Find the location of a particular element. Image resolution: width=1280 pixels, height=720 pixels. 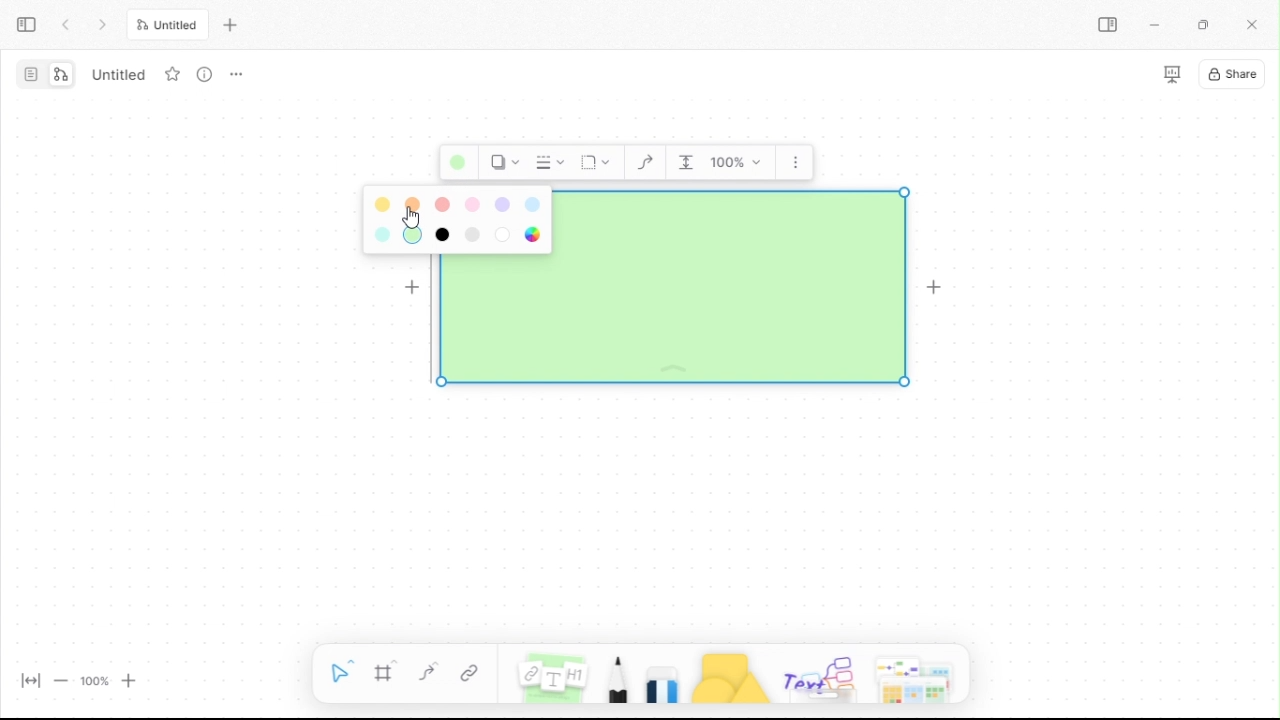

link is located at coordinates (471, 675).